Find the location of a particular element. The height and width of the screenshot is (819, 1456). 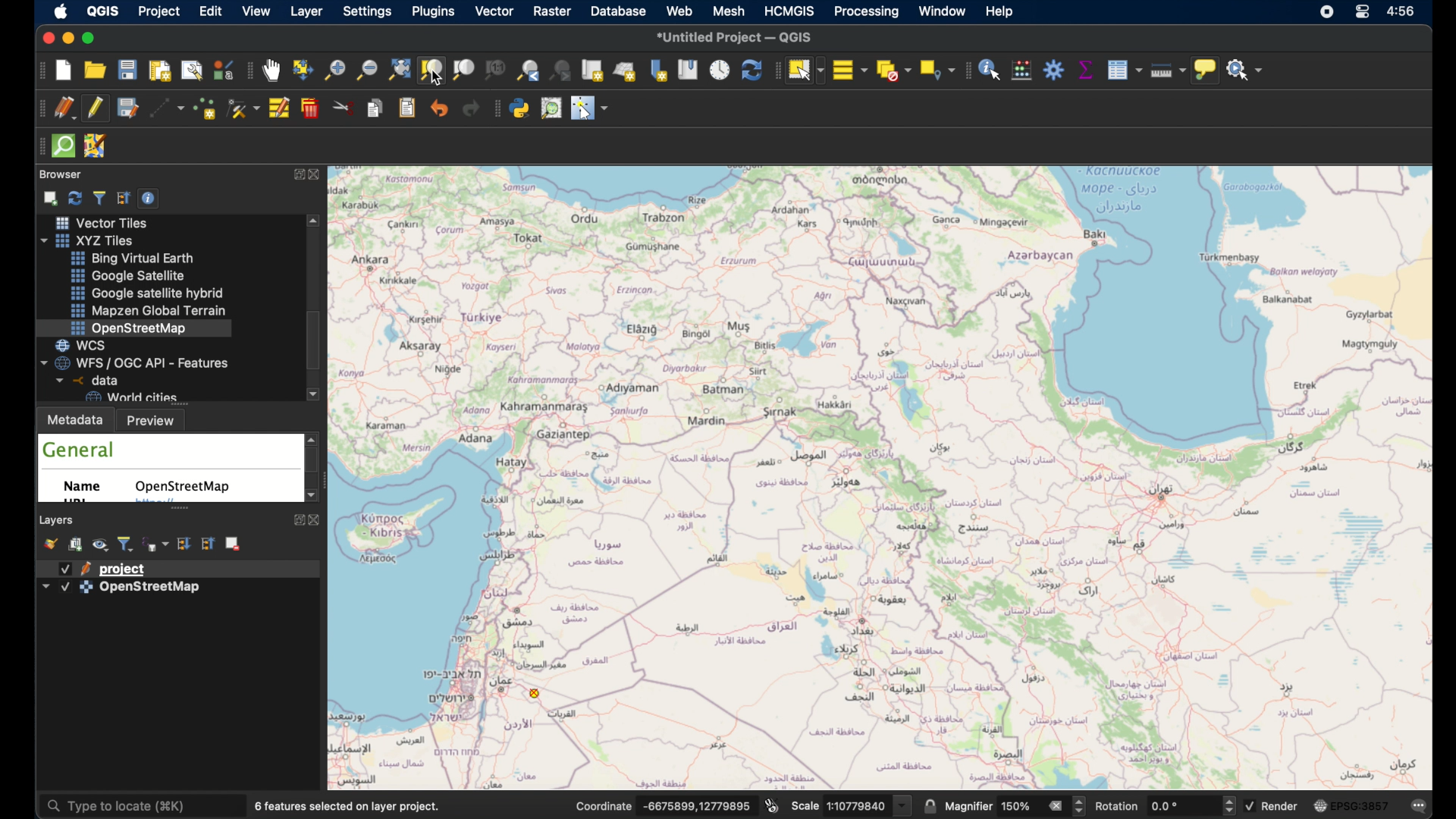

openstreetmap is located at coordinates (130, 328).